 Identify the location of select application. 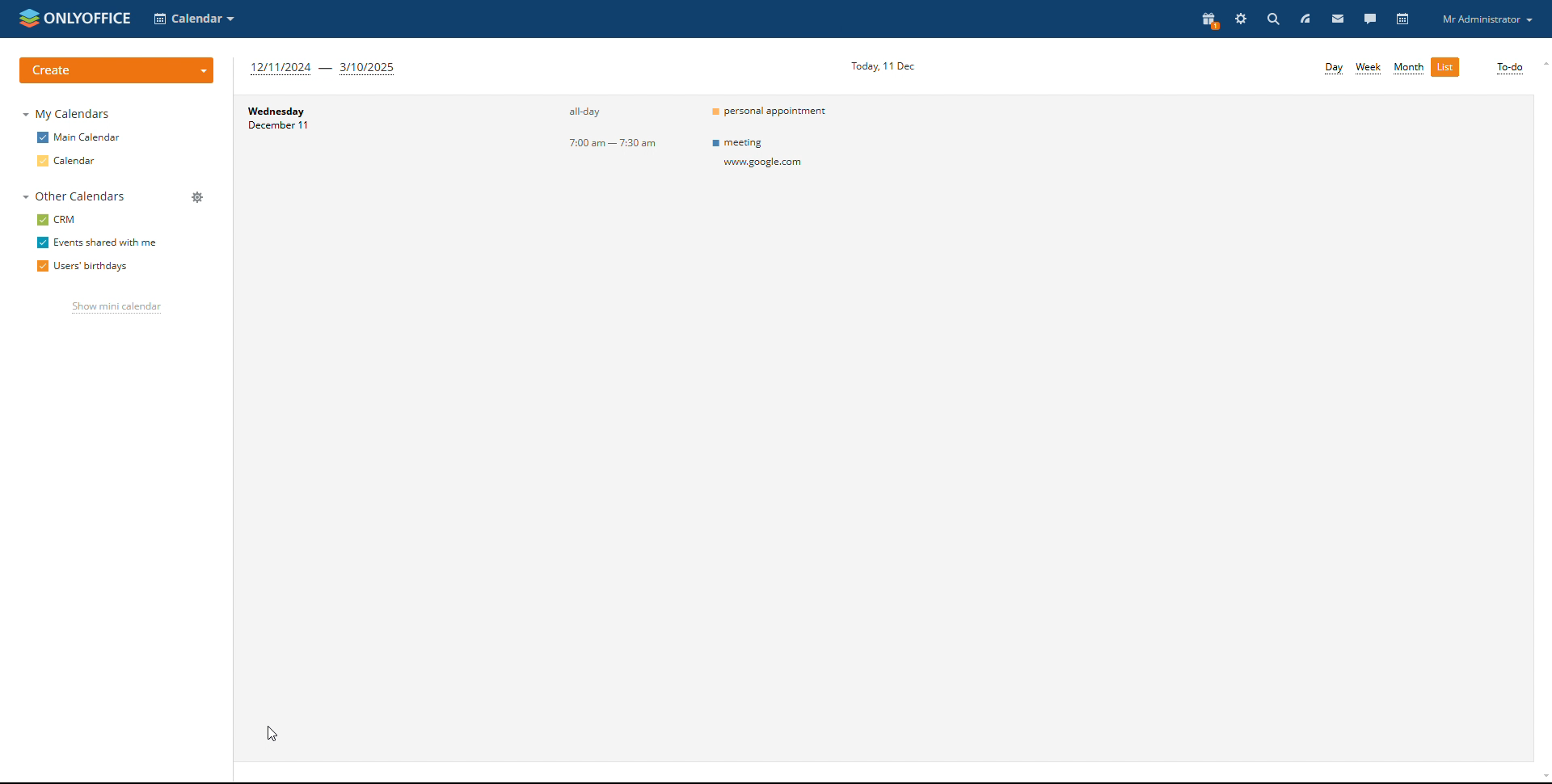
(196, 19).